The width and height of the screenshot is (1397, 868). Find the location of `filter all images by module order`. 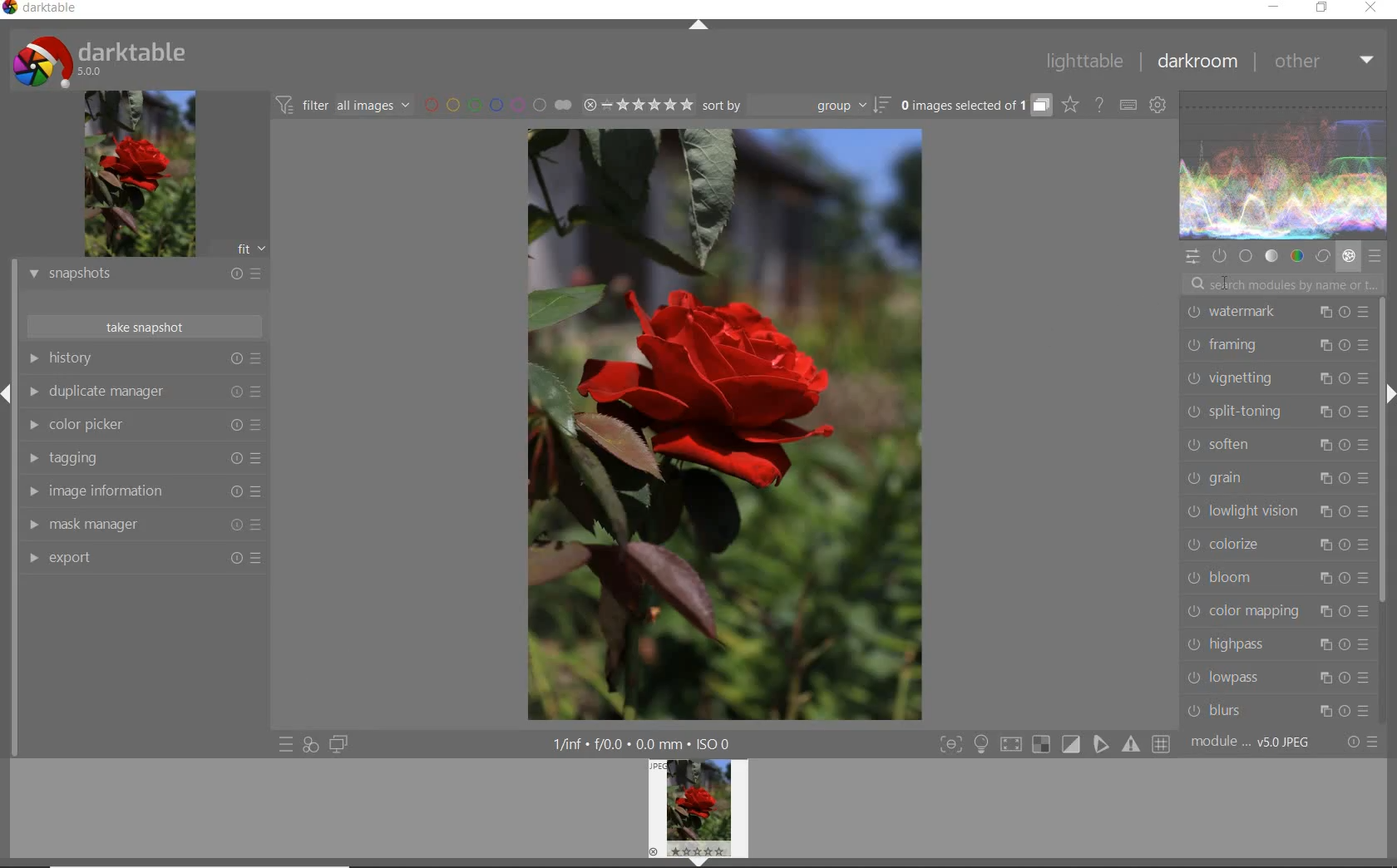

filter all images by module order is located at coordinates (342, 105).